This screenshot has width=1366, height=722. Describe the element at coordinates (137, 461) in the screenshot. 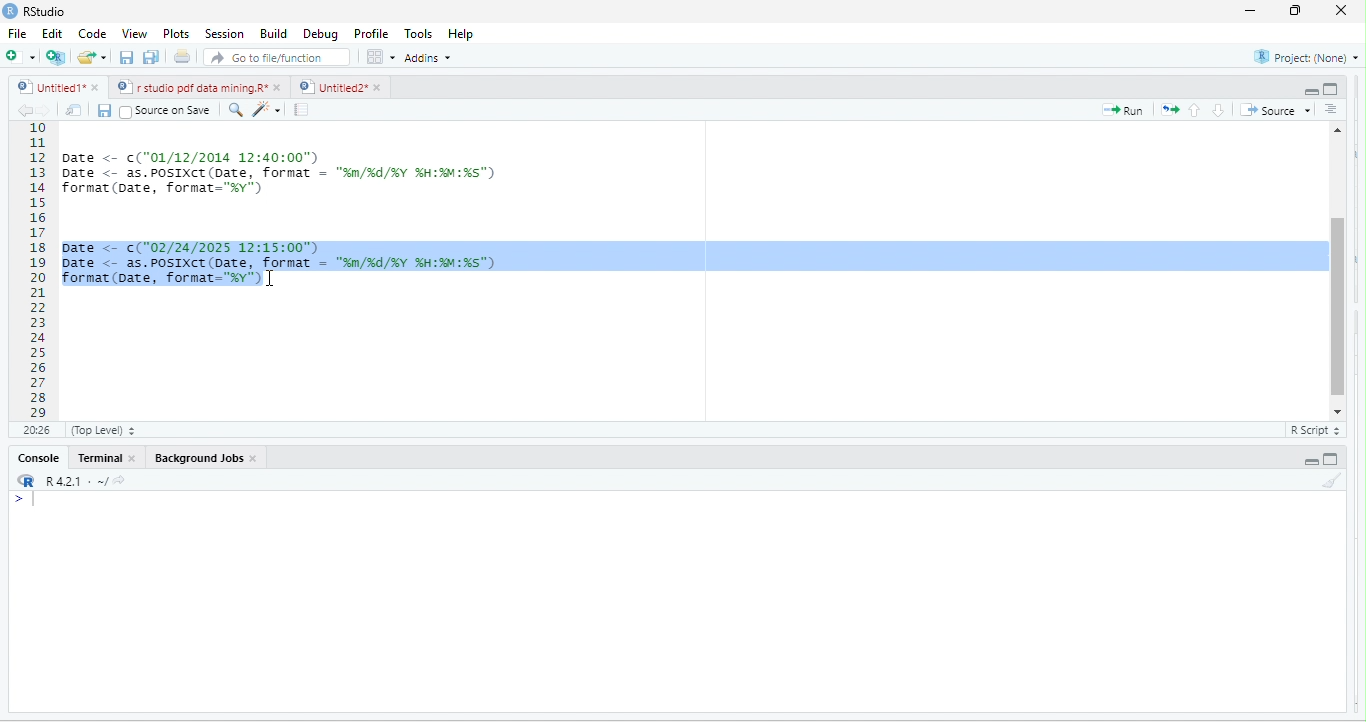

I see `close` at that location.